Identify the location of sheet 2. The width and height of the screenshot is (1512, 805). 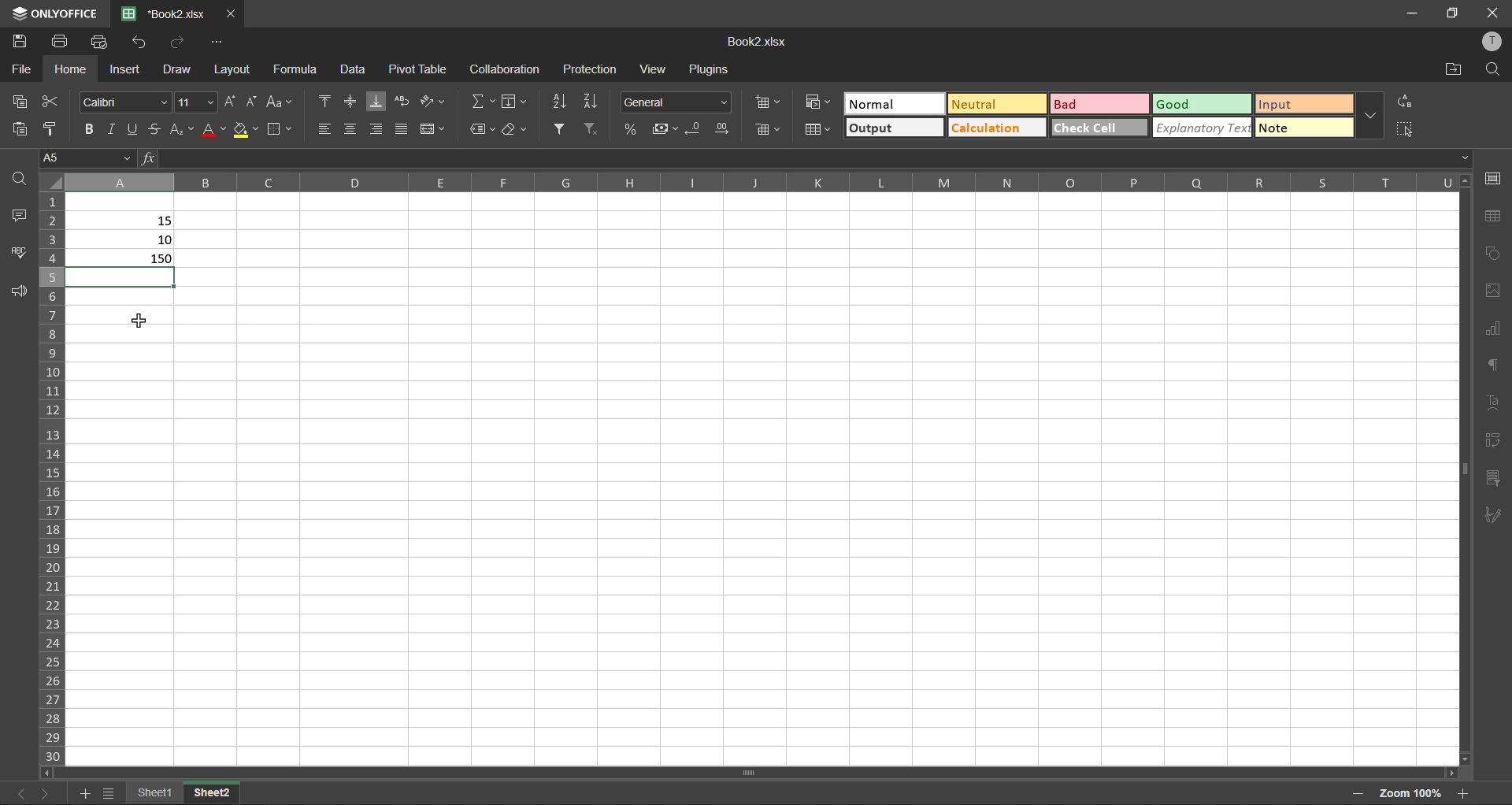
(213, 792).